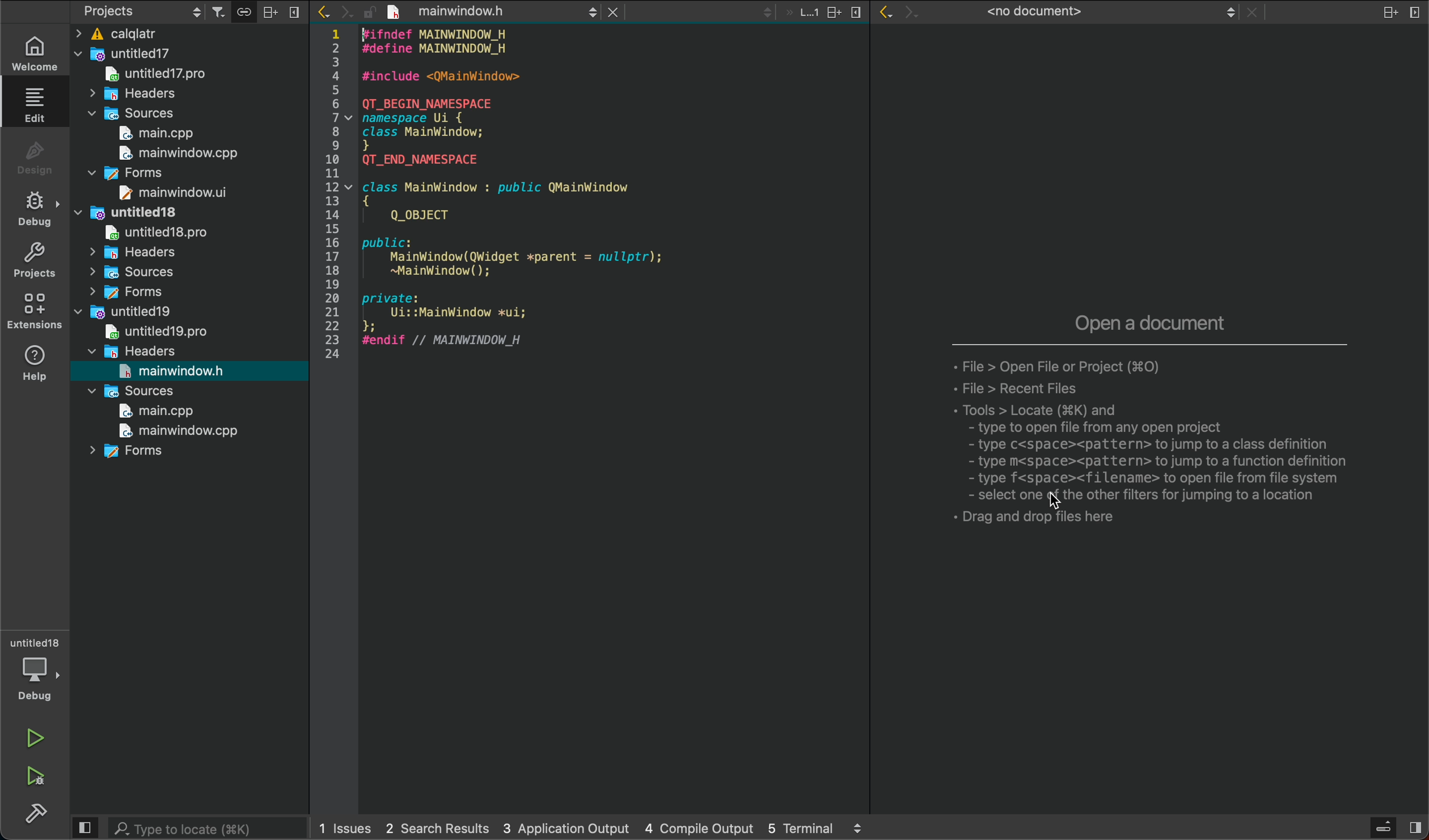  What do you see at coordinates (35, 160) in the screenshot?
I see `design` at bounding box center [35, 160].